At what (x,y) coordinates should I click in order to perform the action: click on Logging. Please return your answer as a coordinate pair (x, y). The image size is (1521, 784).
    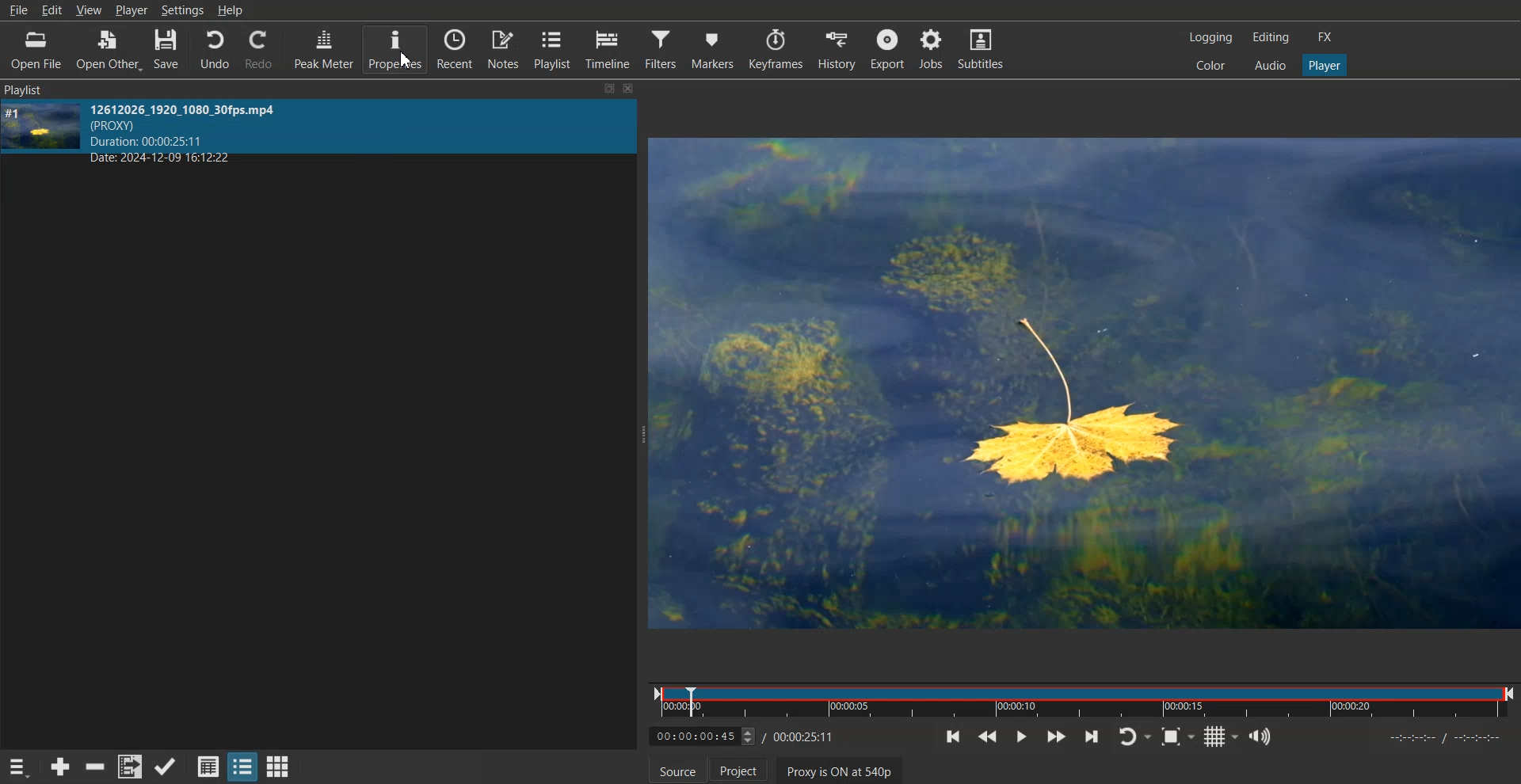
    Looking at the image, I should click on (1211, 37).